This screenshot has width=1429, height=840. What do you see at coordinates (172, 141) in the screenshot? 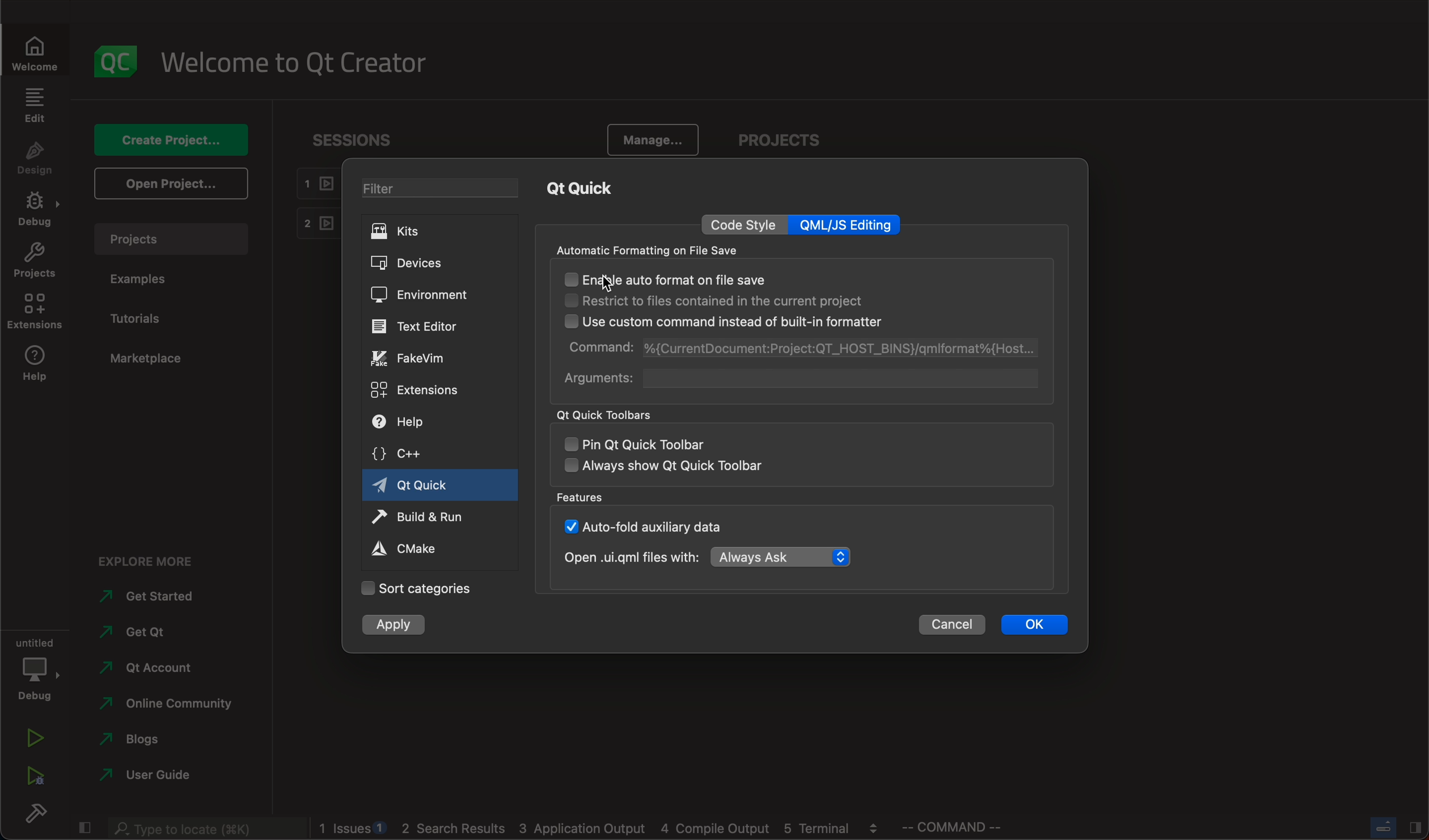
I see `create` at bounding box center [172, 141].